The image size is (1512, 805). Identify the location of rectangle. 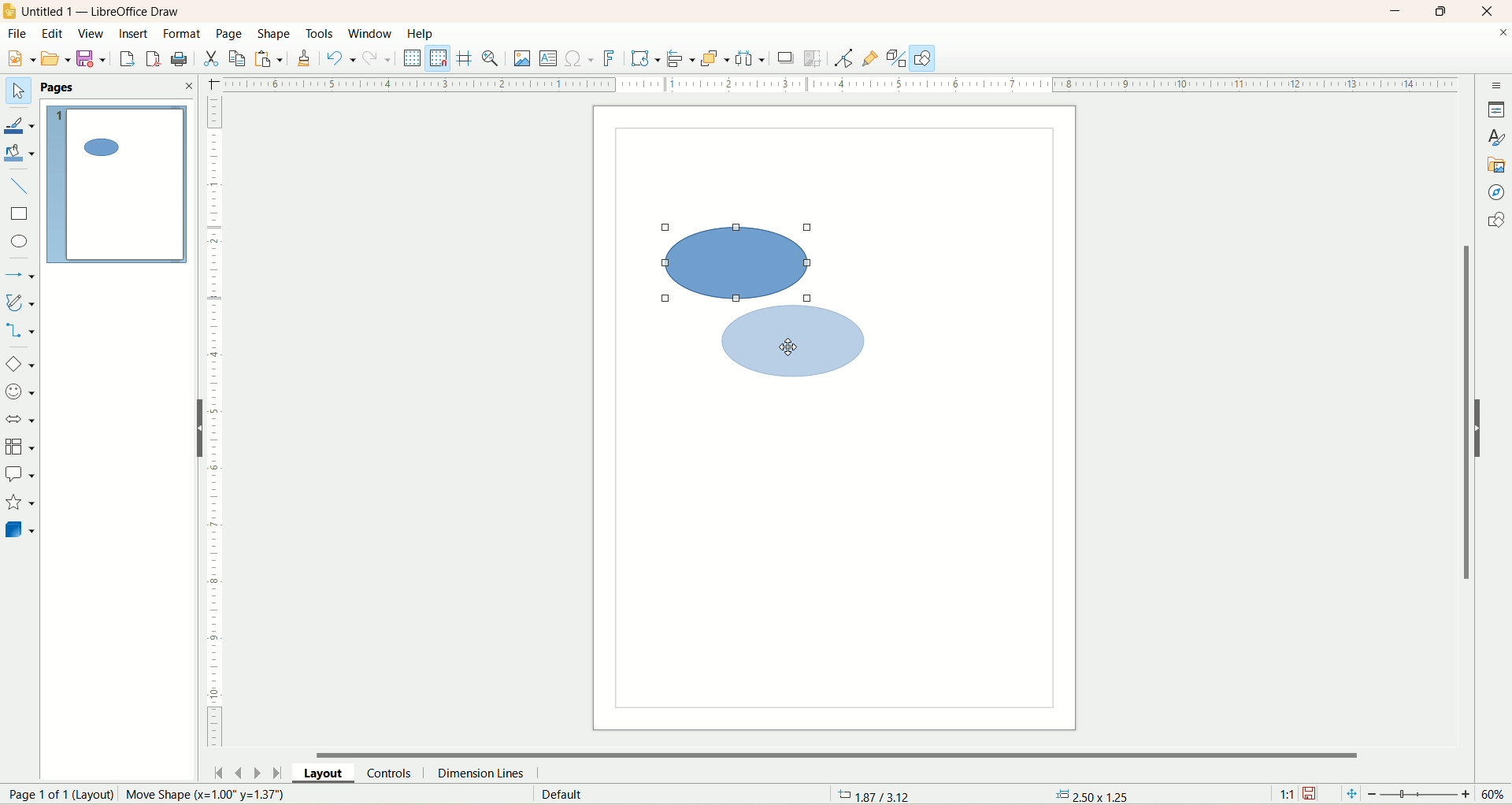
(21, 213).